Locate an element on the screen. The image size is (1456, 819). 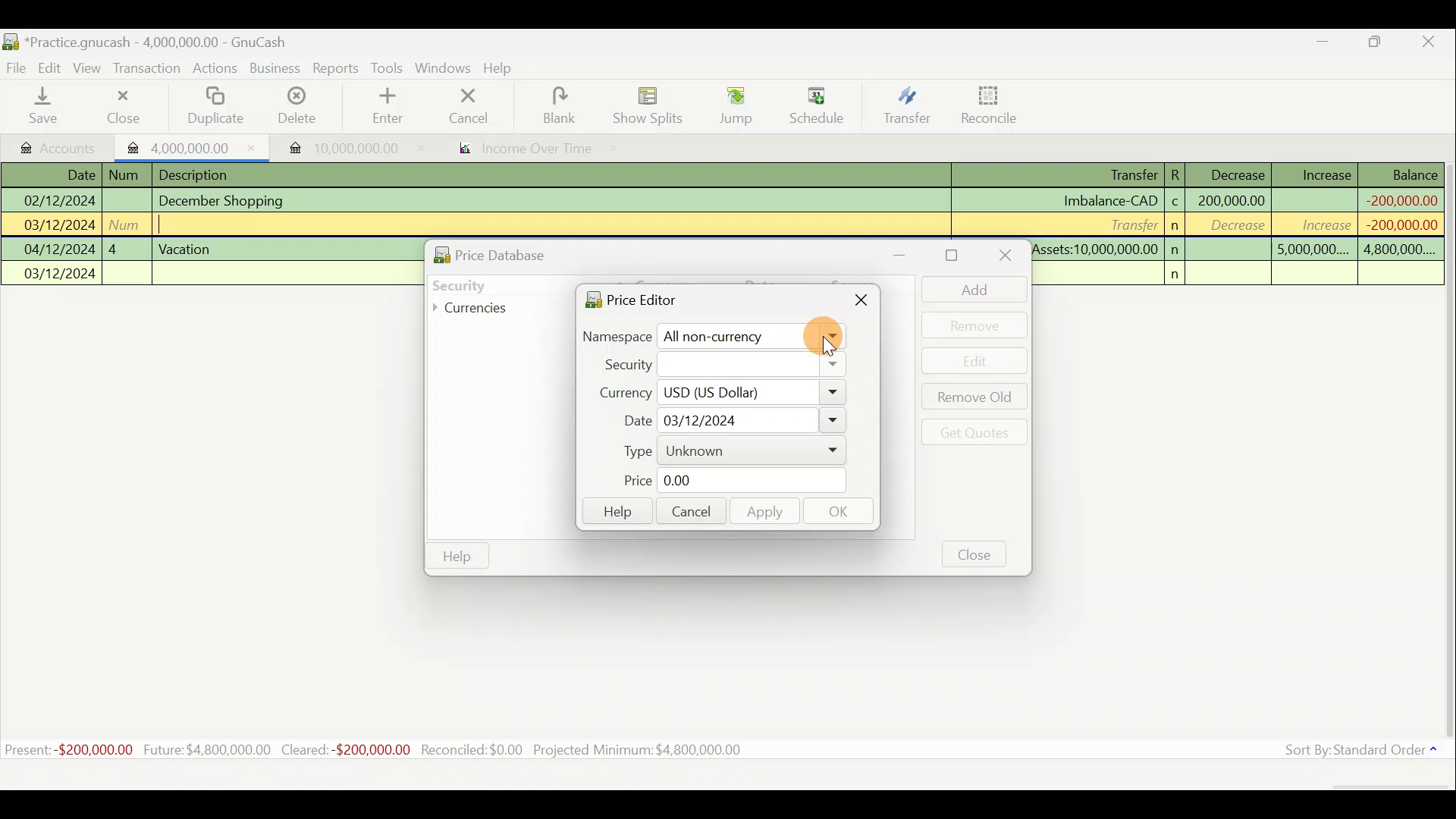
Delete is located at coordinates (298, 106).